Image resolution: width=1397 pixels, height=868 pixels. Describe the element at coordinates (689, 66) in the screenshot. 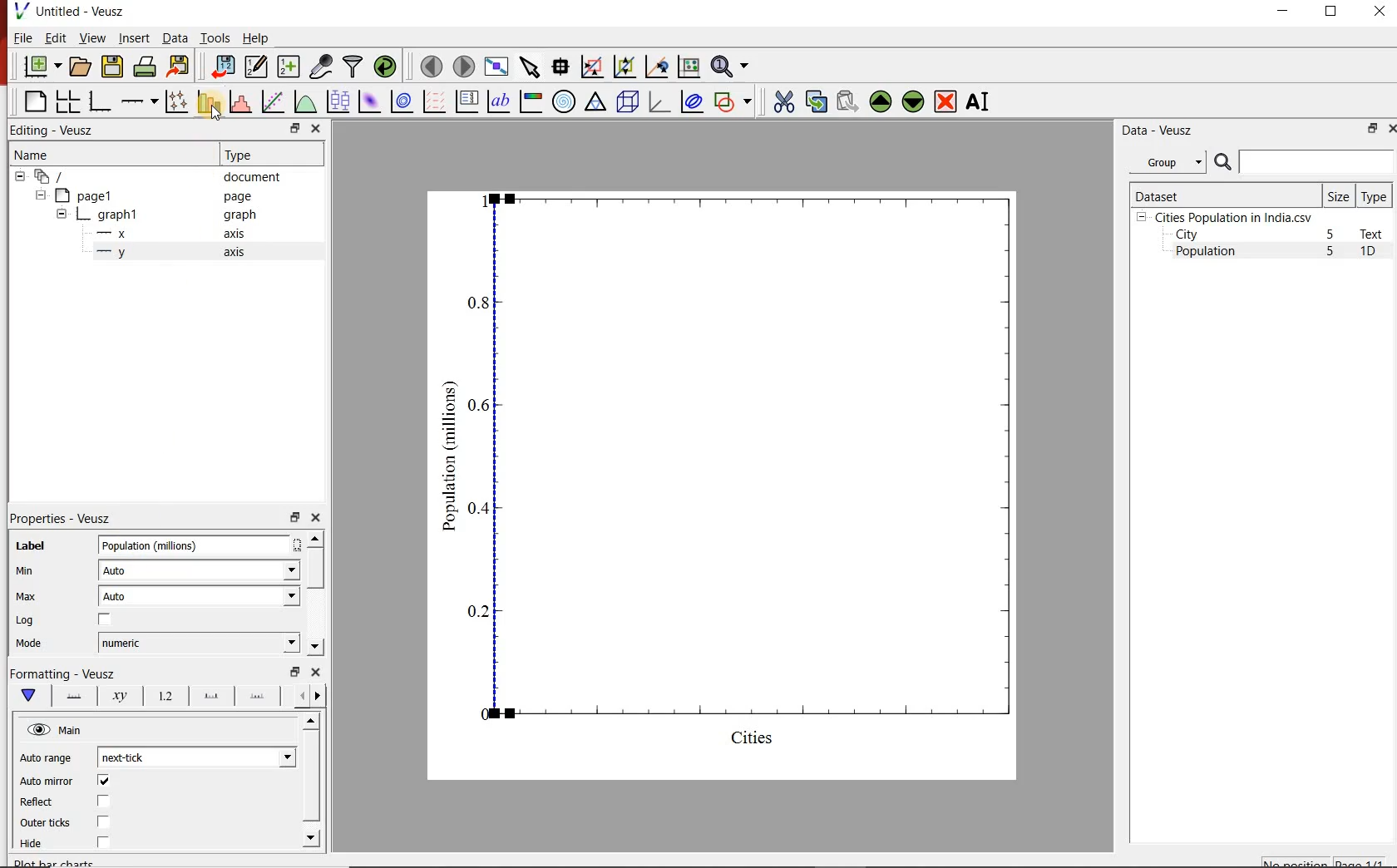

I see `click to reset graph axes` at that location.